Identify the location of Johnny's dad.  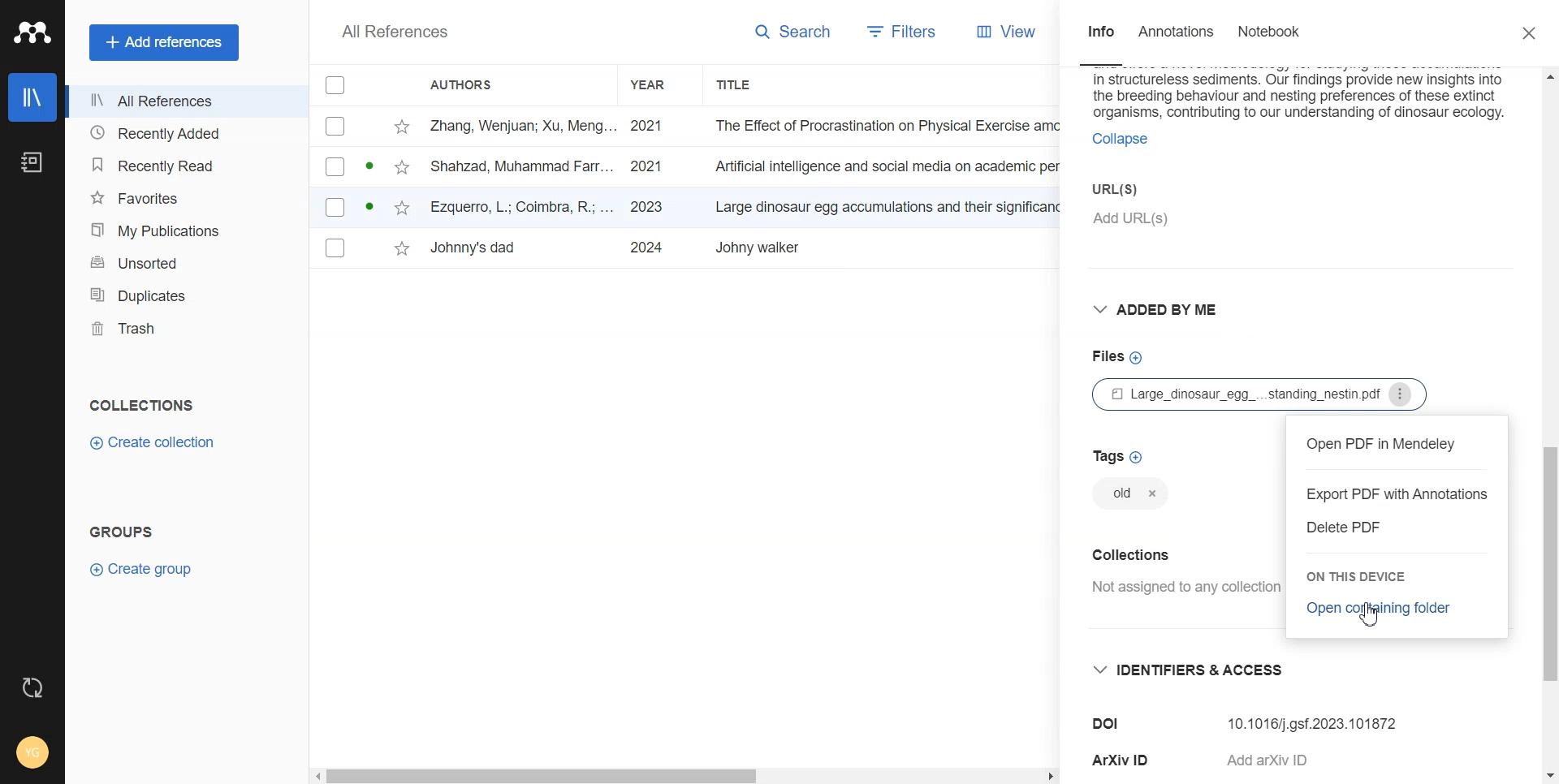
(488, 248).